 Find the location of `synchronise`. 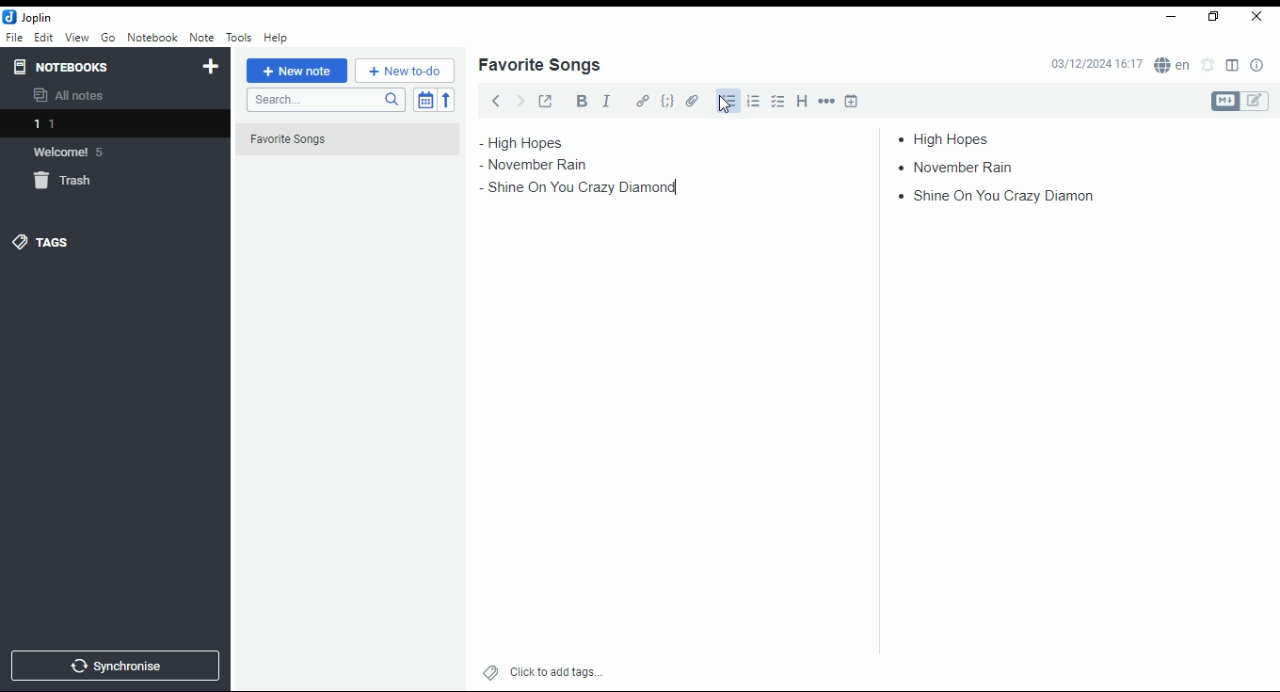

synchronise is located at coordinates (112, 665).